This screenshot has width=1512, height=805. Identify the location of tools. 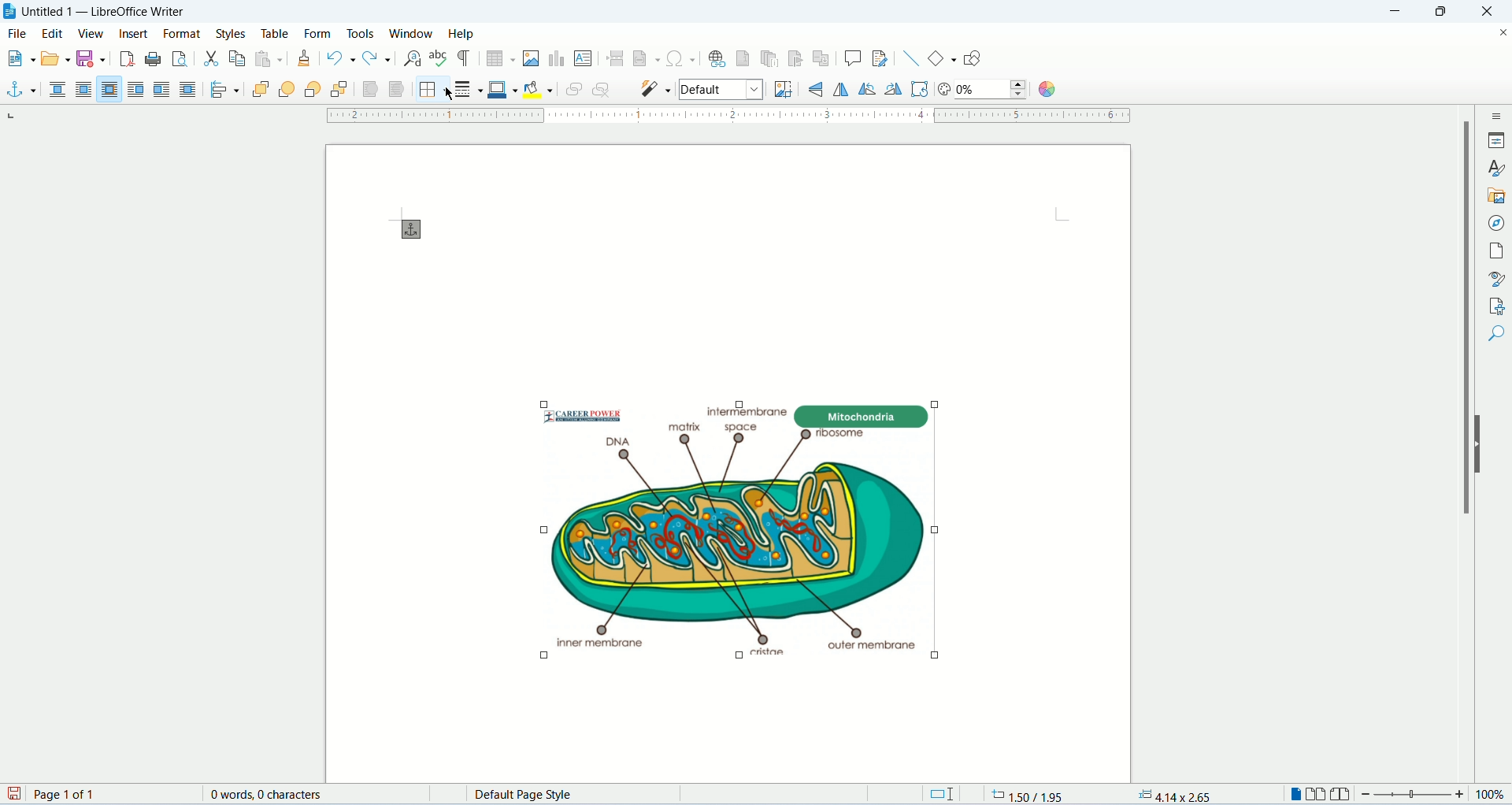
(361, 35).